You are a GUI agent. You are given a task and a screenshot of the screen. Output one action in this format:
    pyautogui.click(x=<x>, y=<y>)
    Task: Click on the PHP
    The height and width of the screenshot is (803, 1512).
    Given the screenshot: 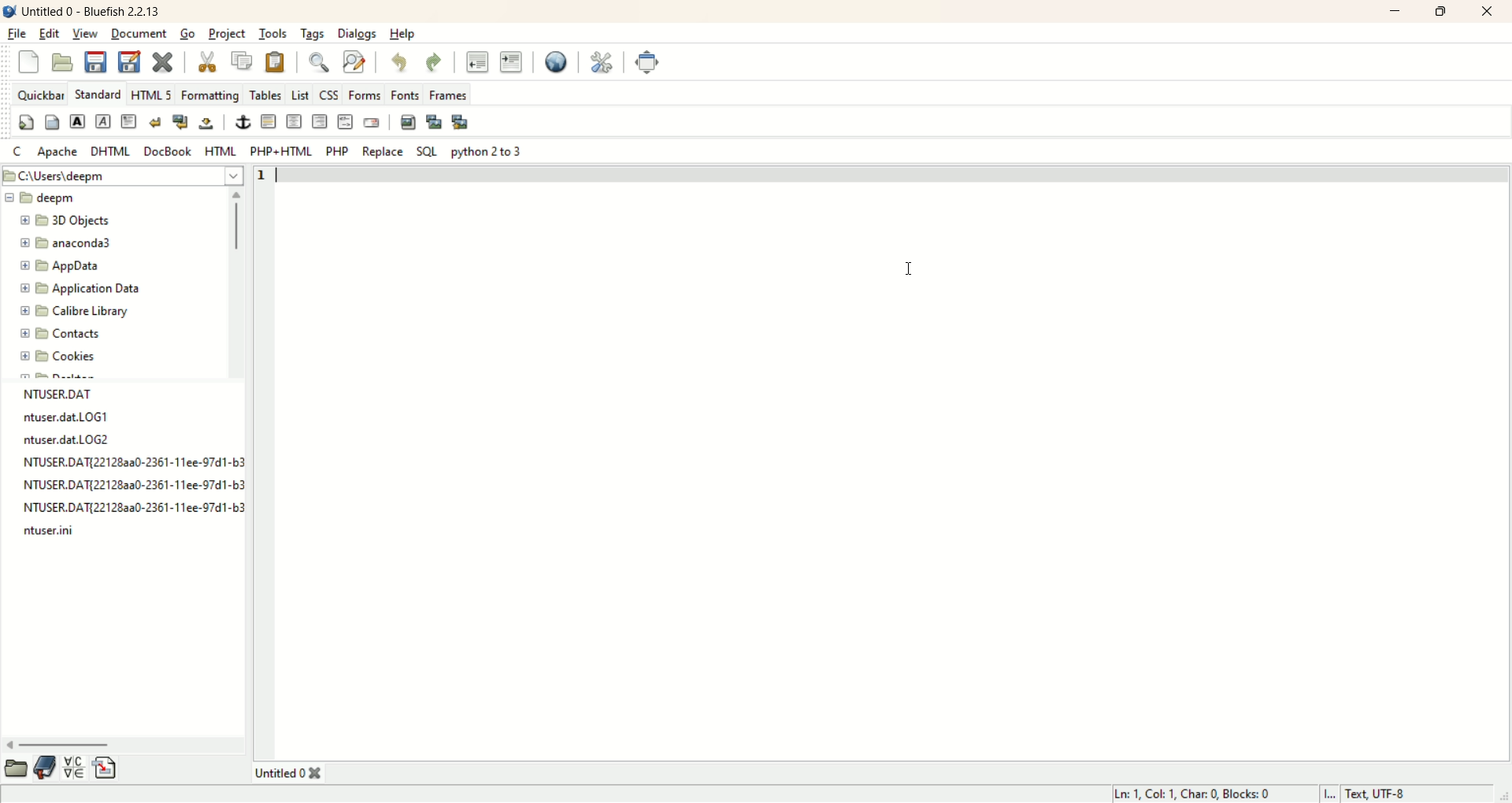 What is the action you would take?
    pyautogui.click(x=337, y=150)
    